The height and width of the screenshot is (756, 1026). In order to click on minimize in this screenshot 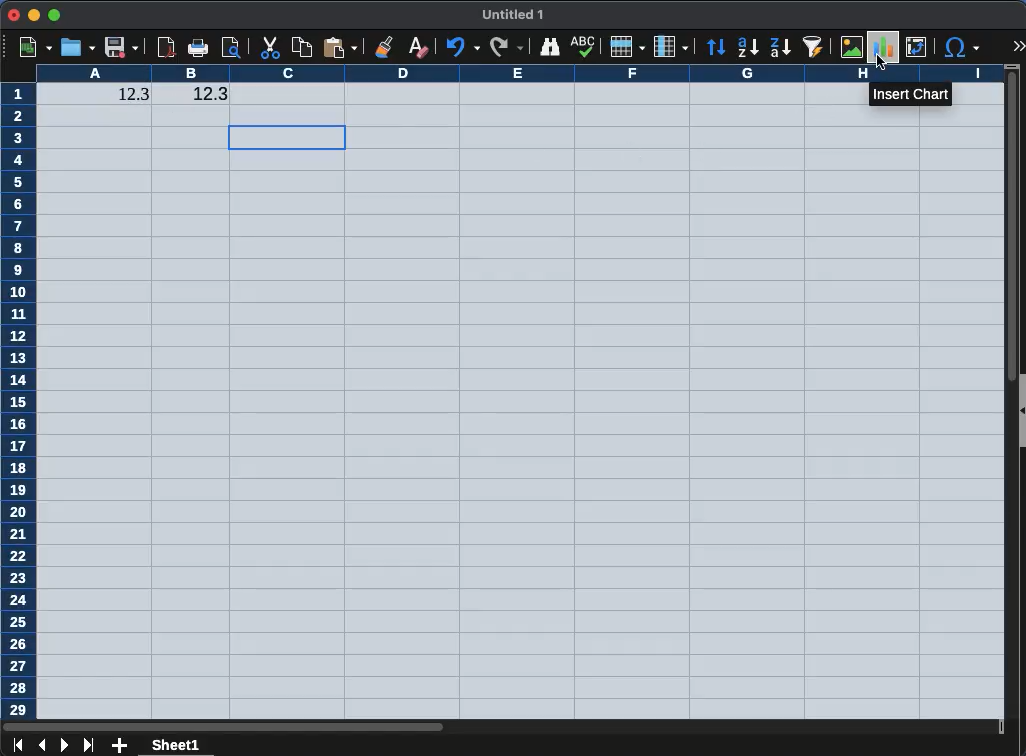, I will do `click(35, 15)`.